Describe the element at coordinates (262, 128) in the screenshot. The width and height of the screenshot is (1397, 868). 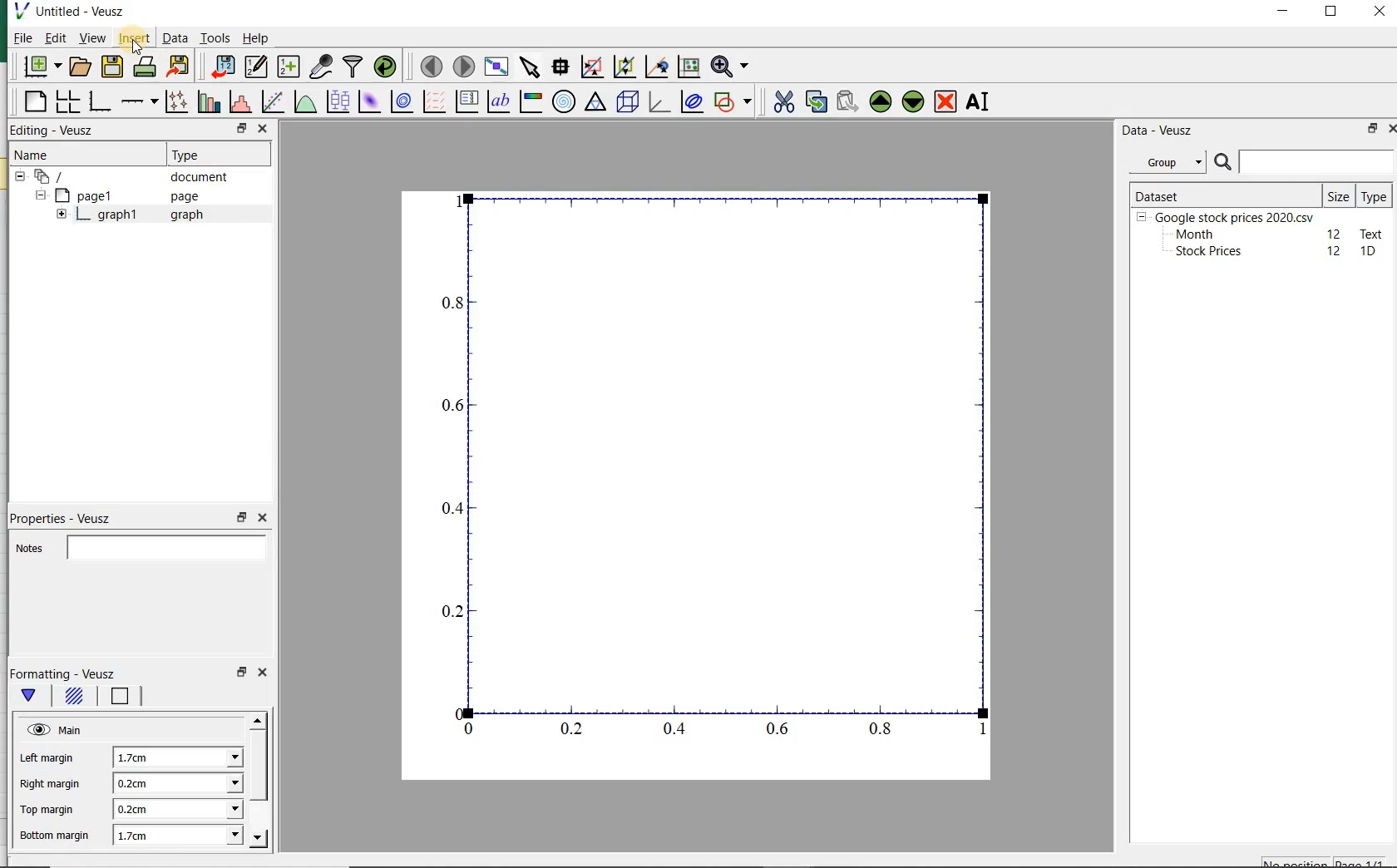
I see `close` at that location.